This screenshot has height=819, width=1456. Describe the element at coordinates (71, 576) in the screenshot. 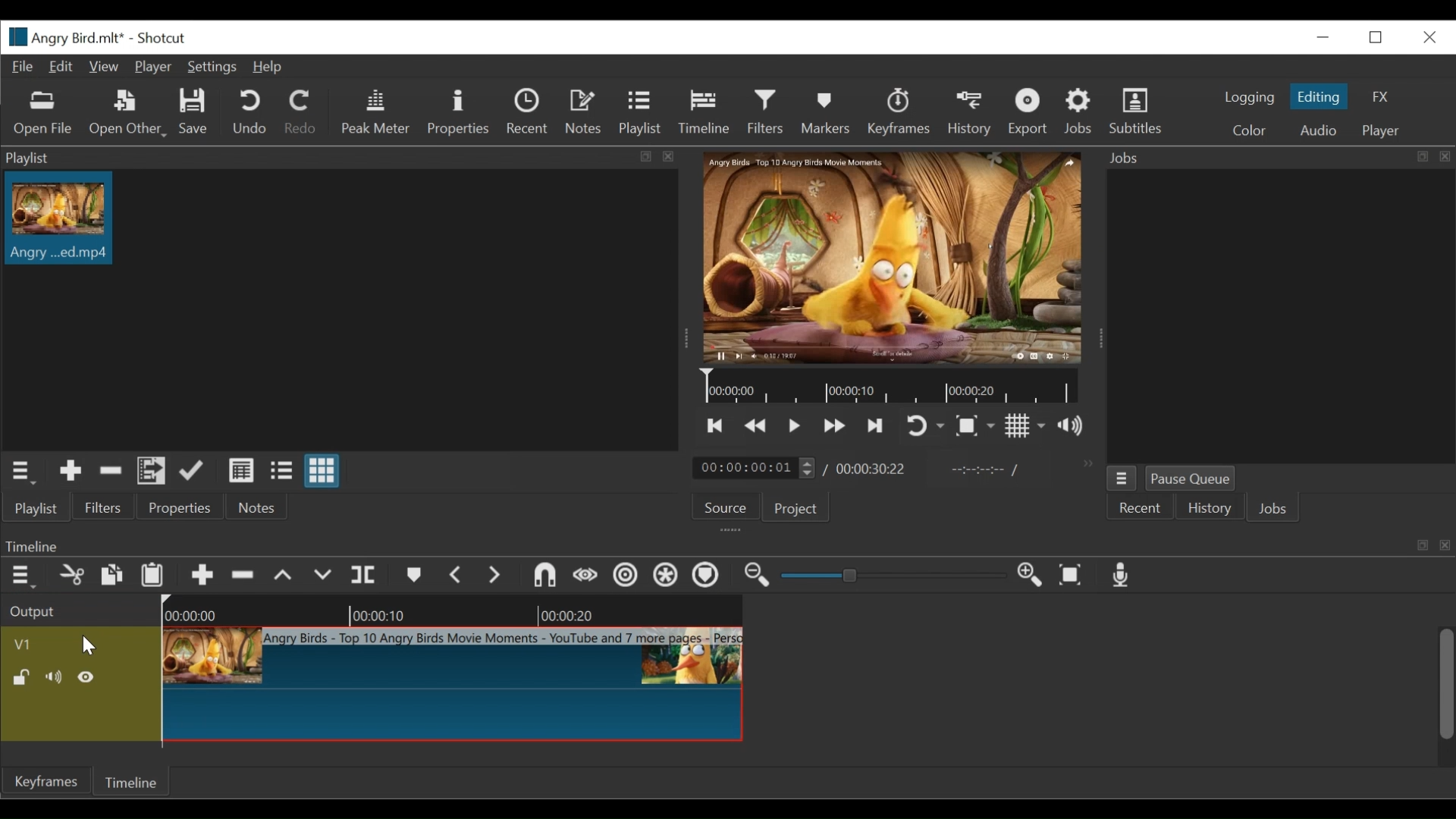

I see `Cut` at that location.